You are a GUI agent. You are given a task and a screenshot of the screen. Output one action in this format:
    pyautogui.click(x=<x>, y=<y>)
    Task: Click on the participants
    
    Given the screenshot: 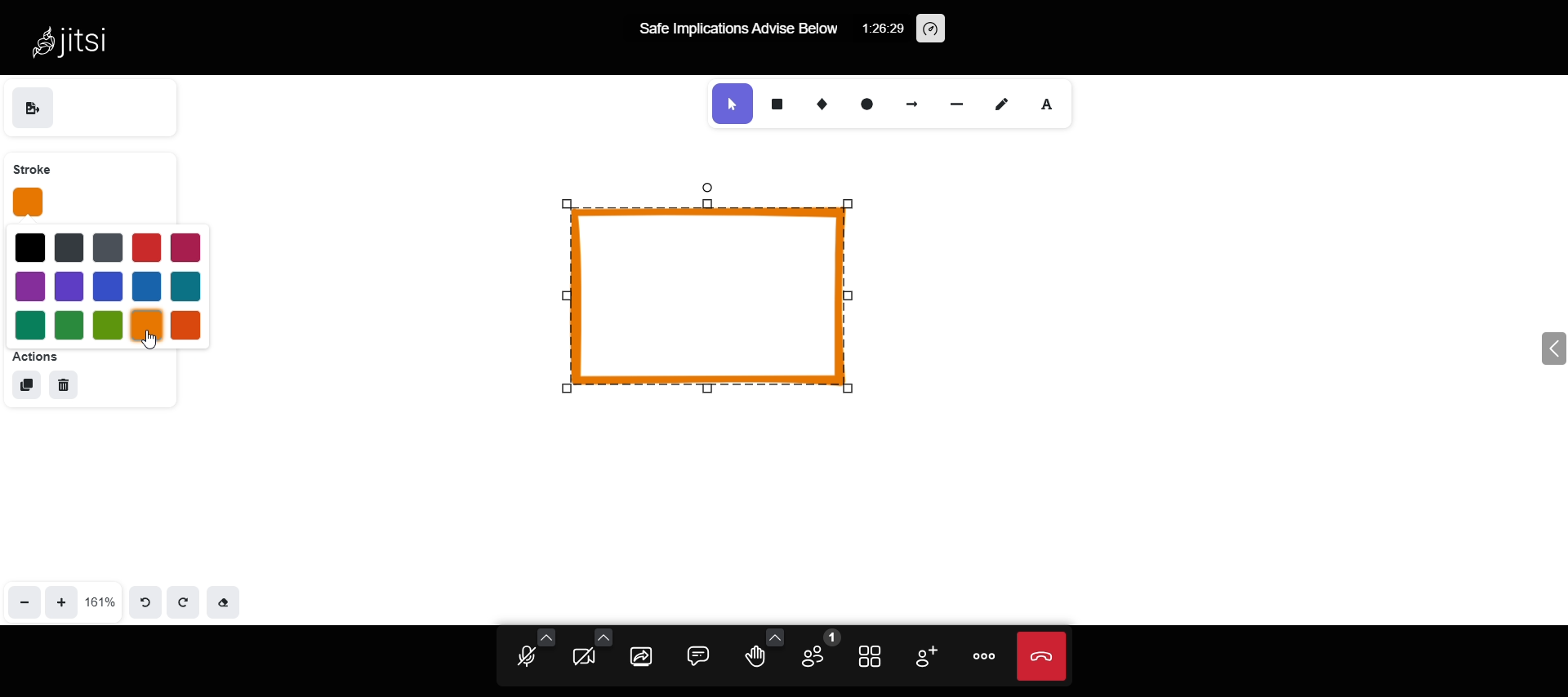 What is the action you would take?
    pyautogui.click(x=819, y=650)
    